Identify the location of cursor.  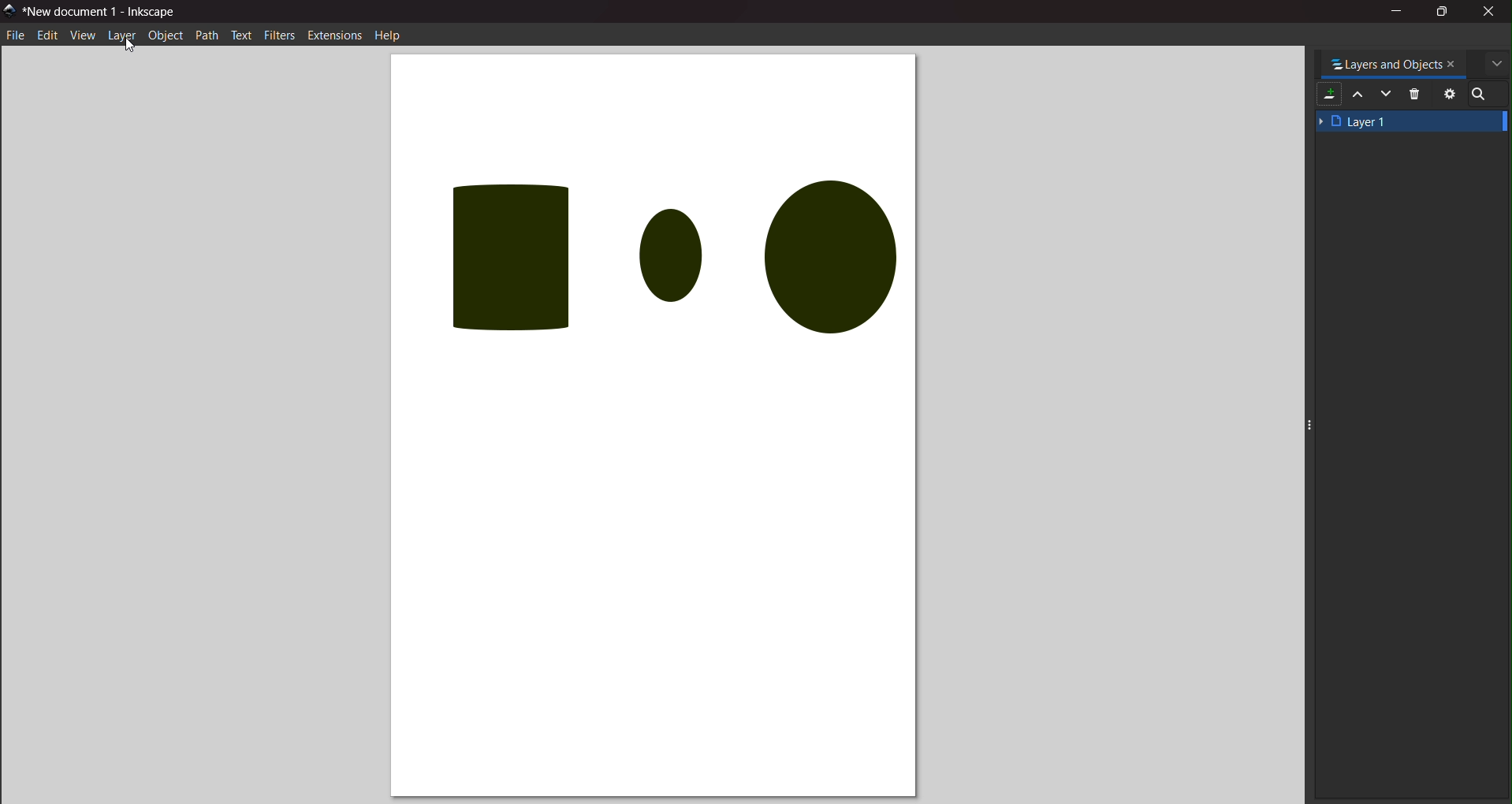
(129, 44).